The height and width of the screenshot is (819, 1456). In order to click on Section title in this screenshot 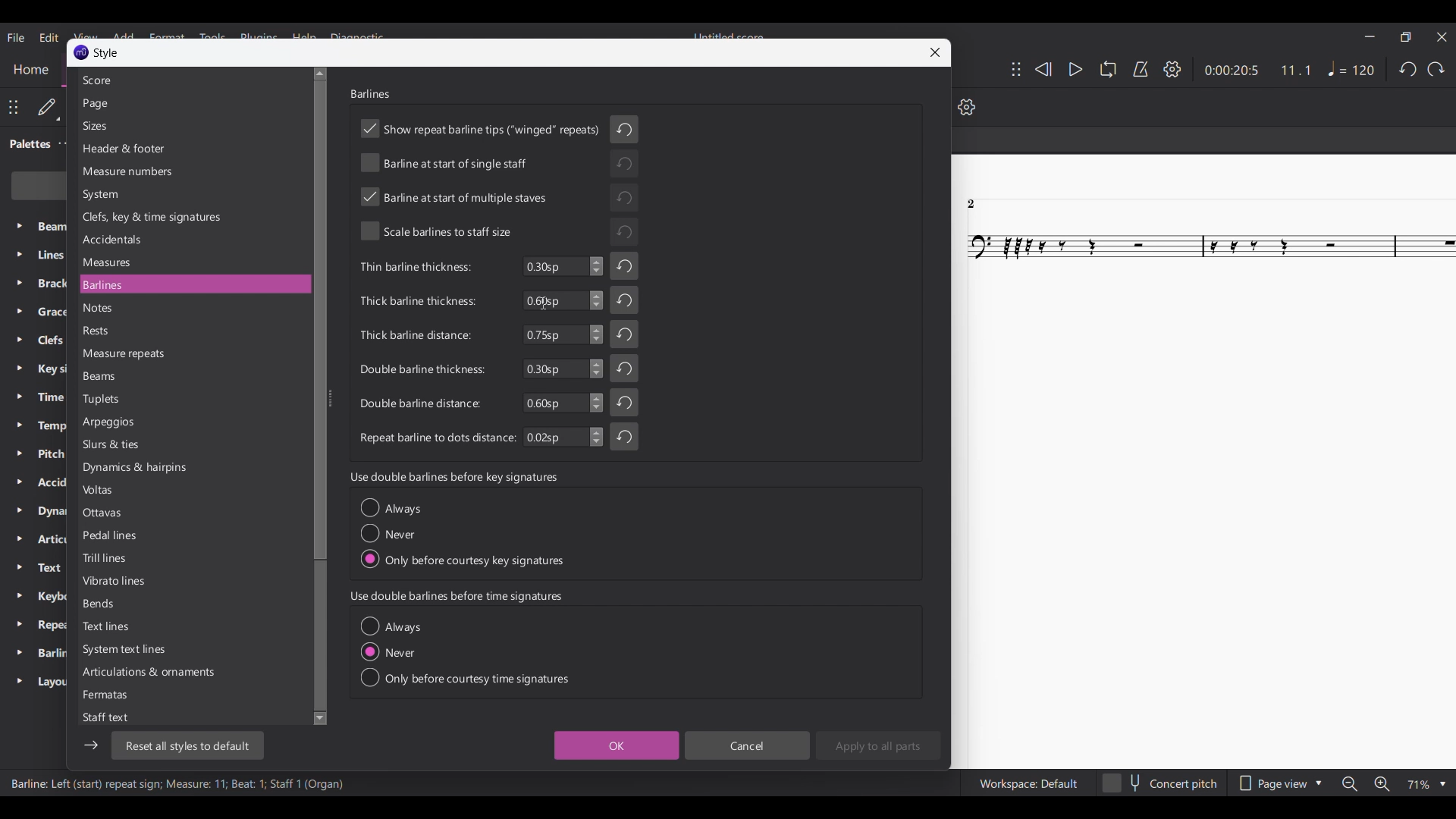, I will do `click(370, 93)`.